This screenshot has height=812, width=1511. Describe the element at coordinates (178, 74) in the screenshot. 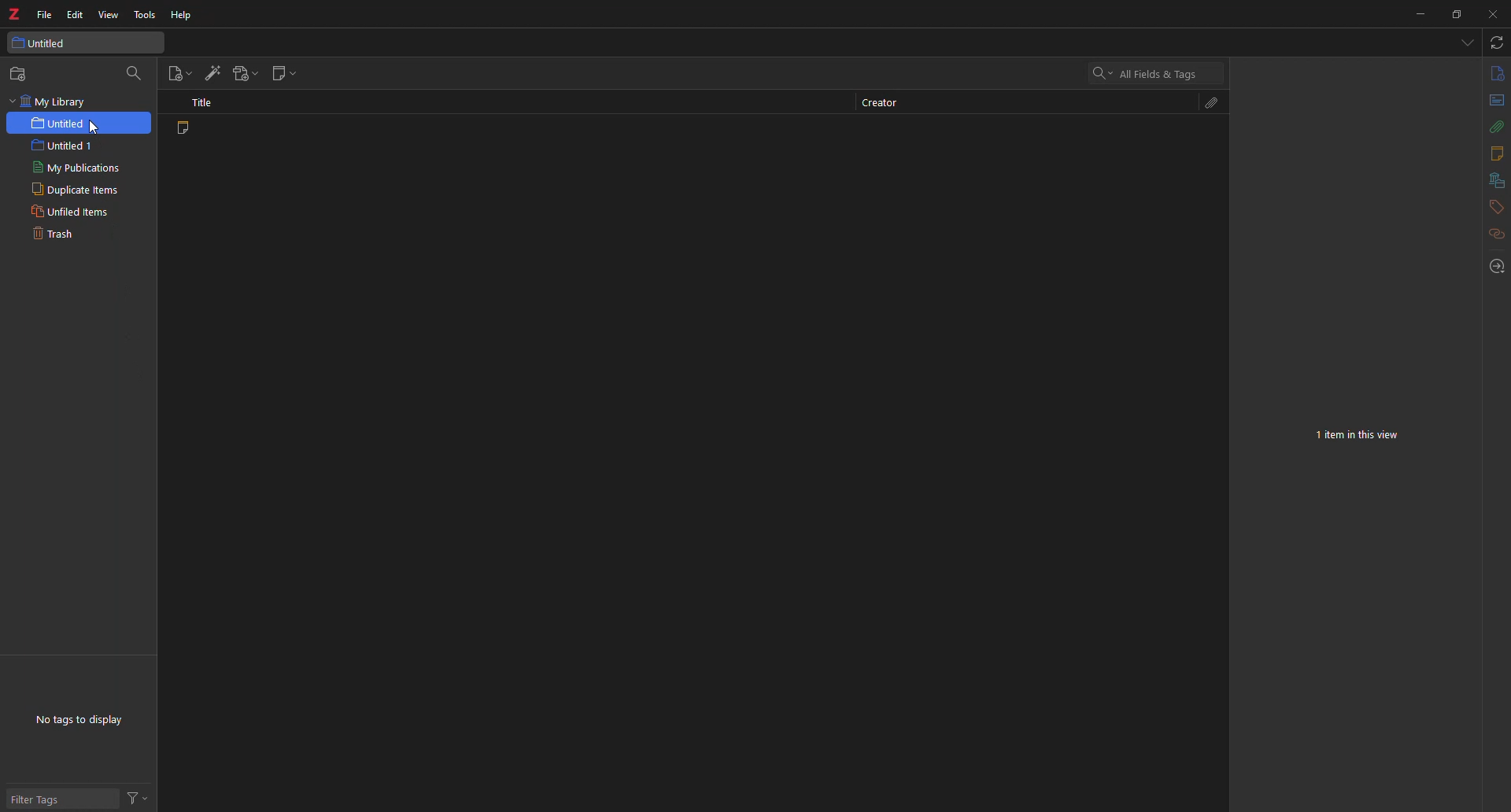

I see `new item` at that location.